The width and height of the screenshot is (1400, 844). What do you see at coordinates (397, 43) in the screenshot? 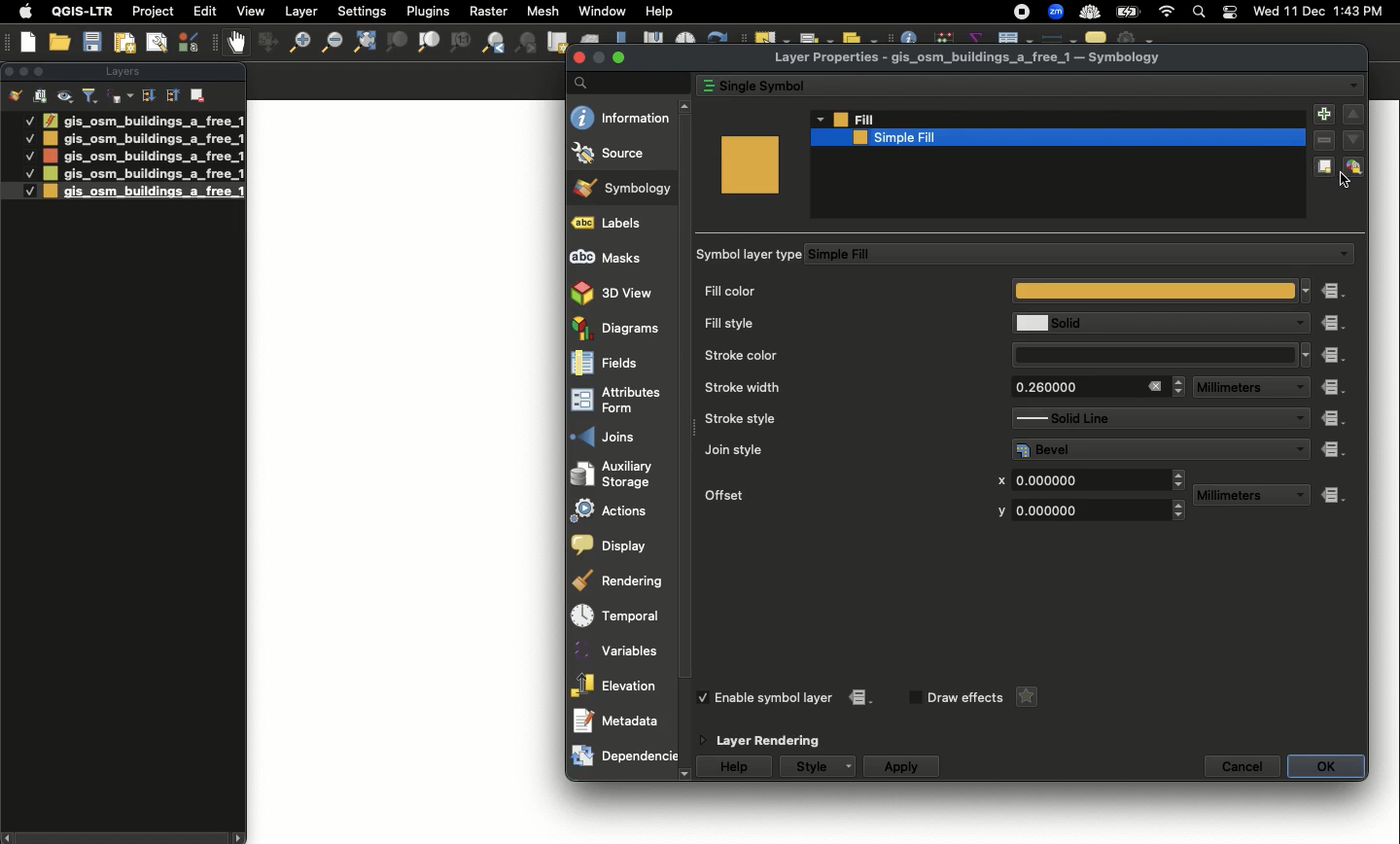
I see `Zoom to selection` at bounding box center [397, 43].